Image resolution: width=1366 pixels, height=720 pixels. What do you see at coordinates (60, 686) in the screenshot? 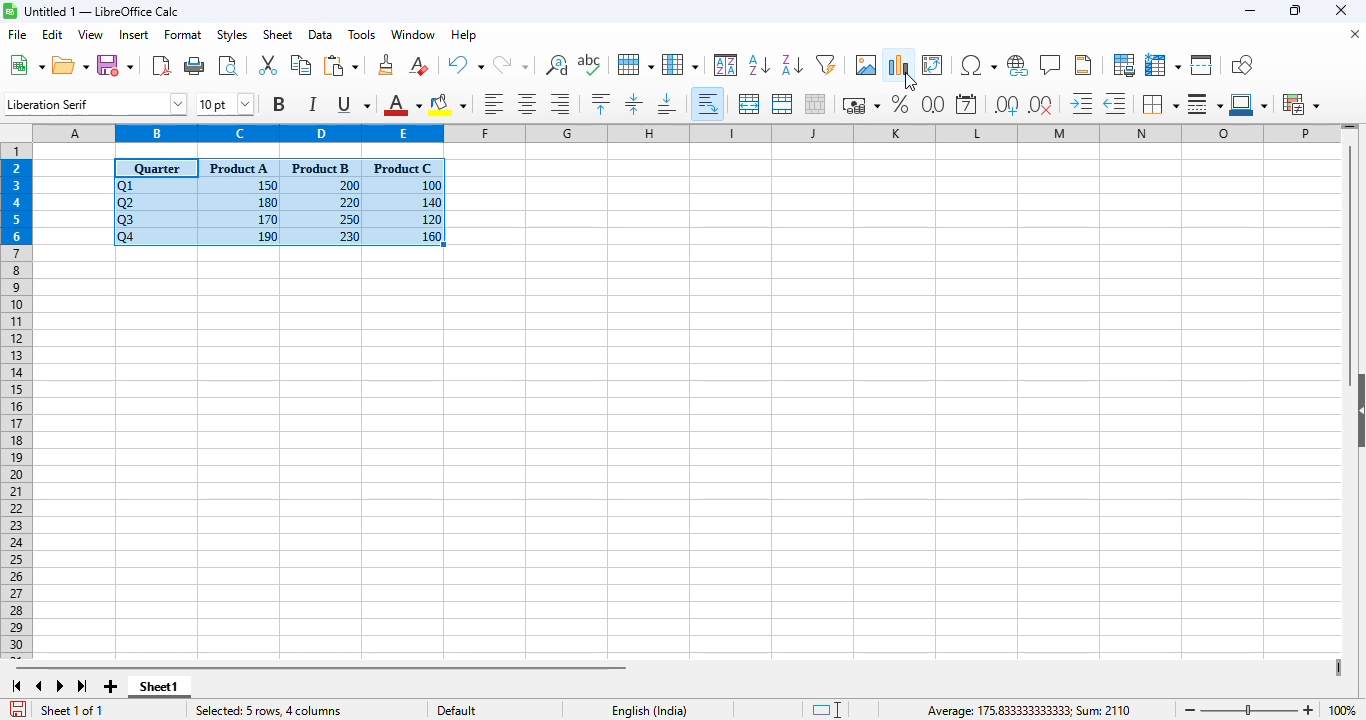
I see `scroll to next sheet` at bounding box center [60, 686].